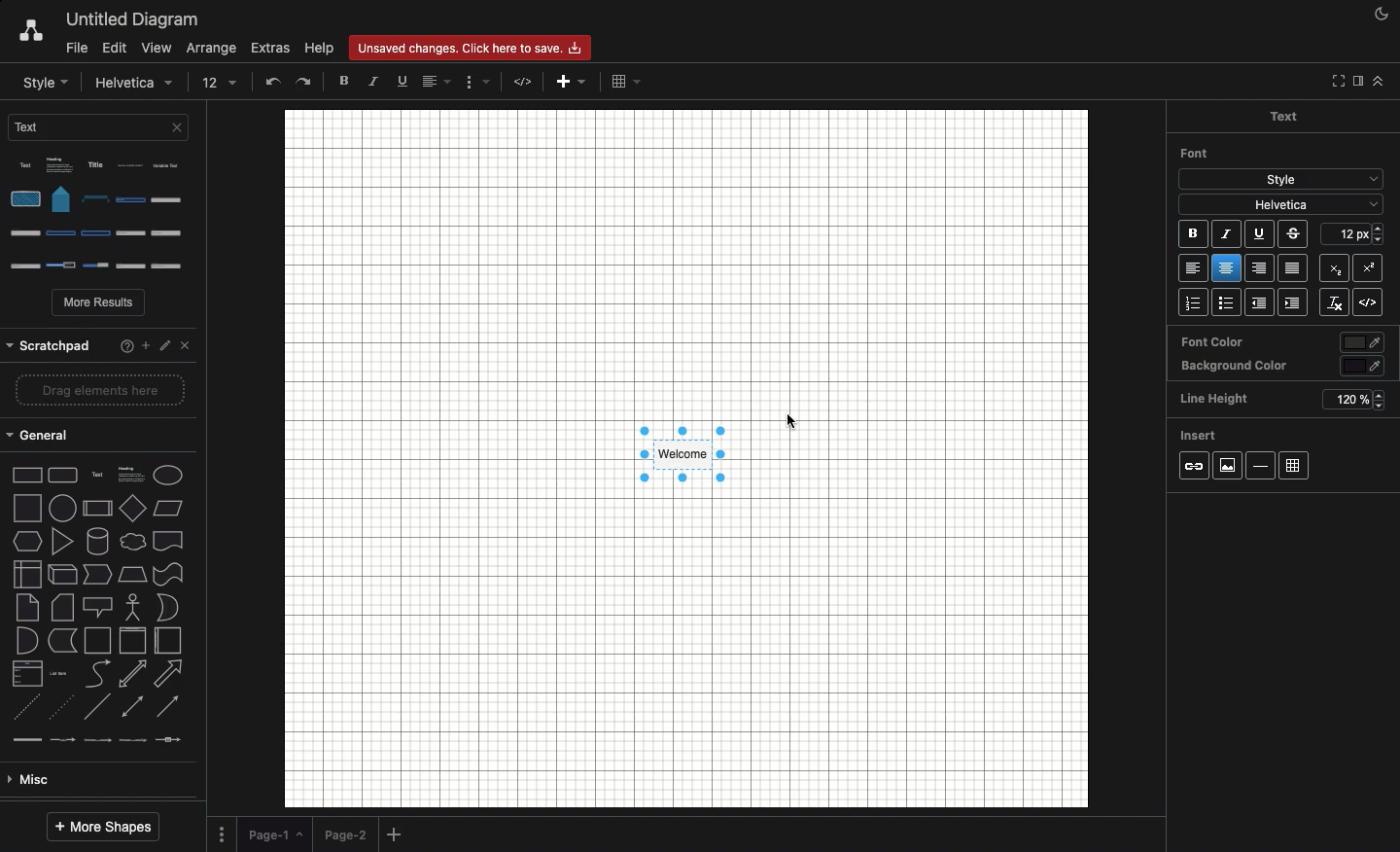 The height and width of the screenshot is (852, 1400). Describe the element at coordinates (1332, 268) in the screenshot. I see `Subscript` at that location.